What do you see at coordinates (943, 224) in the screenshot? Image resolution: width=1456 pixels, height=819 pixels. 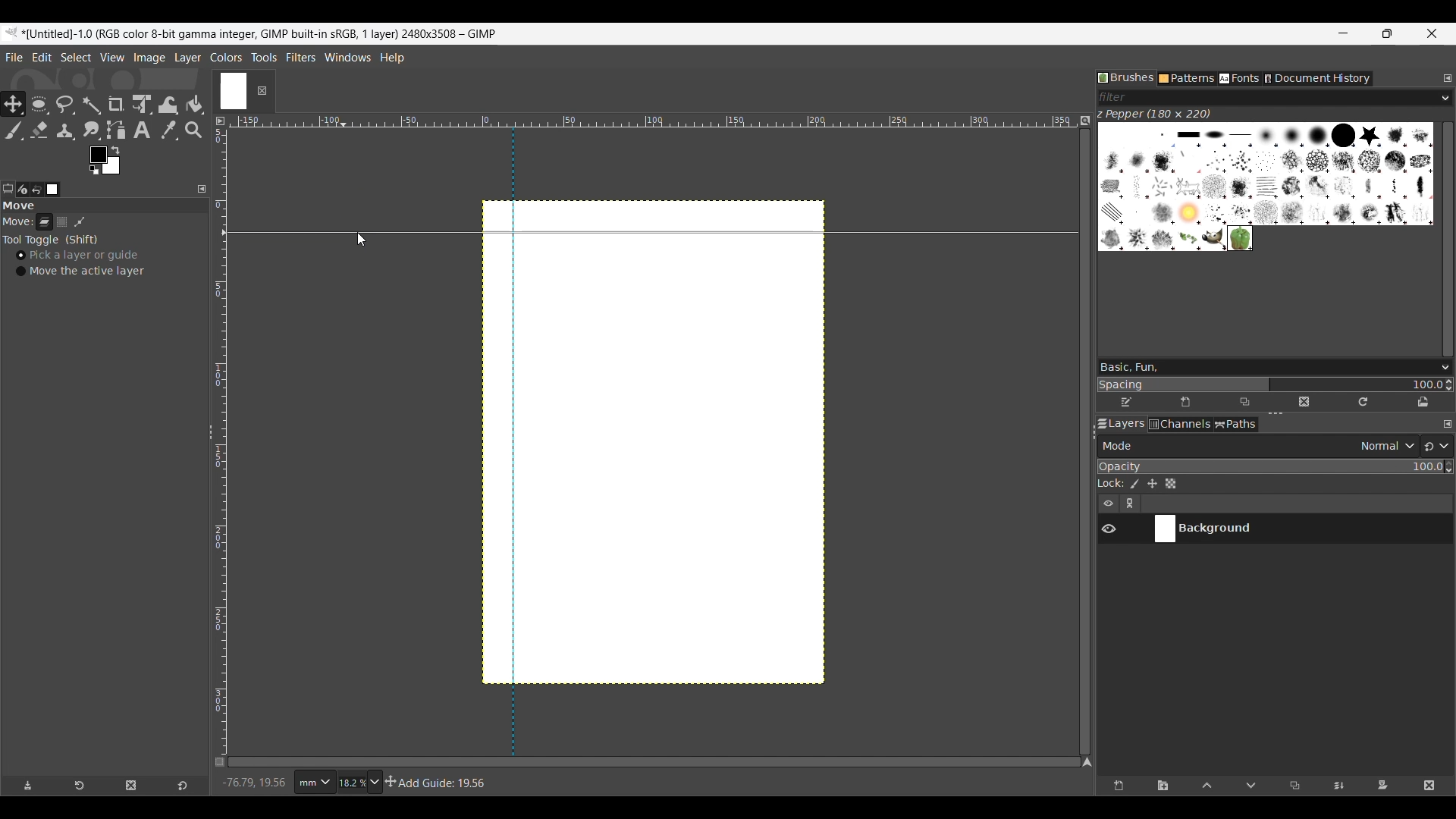 I see `Horizontal guideline dragged on to canvas` at bounding box center [943, 224].